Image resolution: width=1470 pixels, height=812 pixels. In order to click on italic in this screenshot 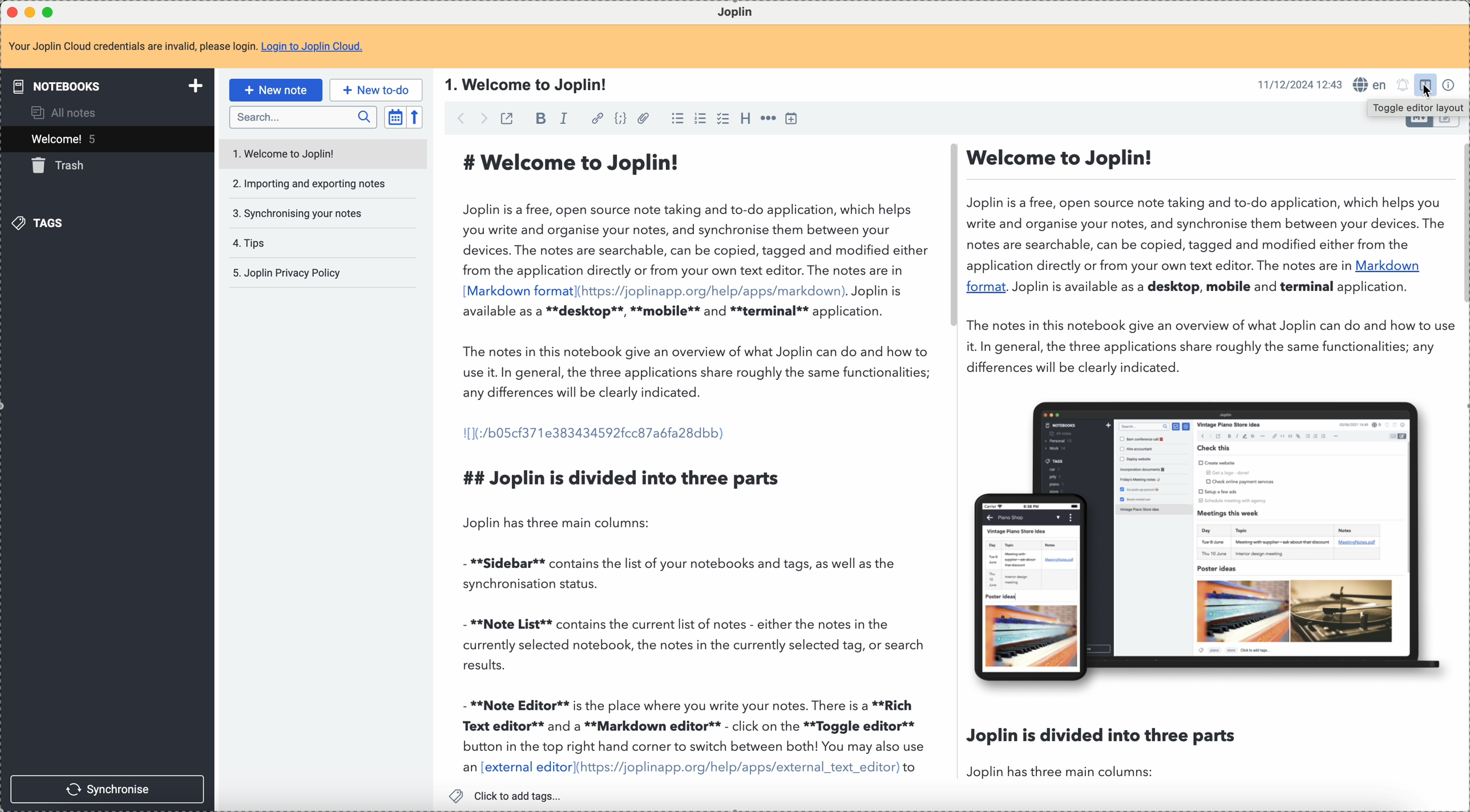, I will do `click(564, 119)`.